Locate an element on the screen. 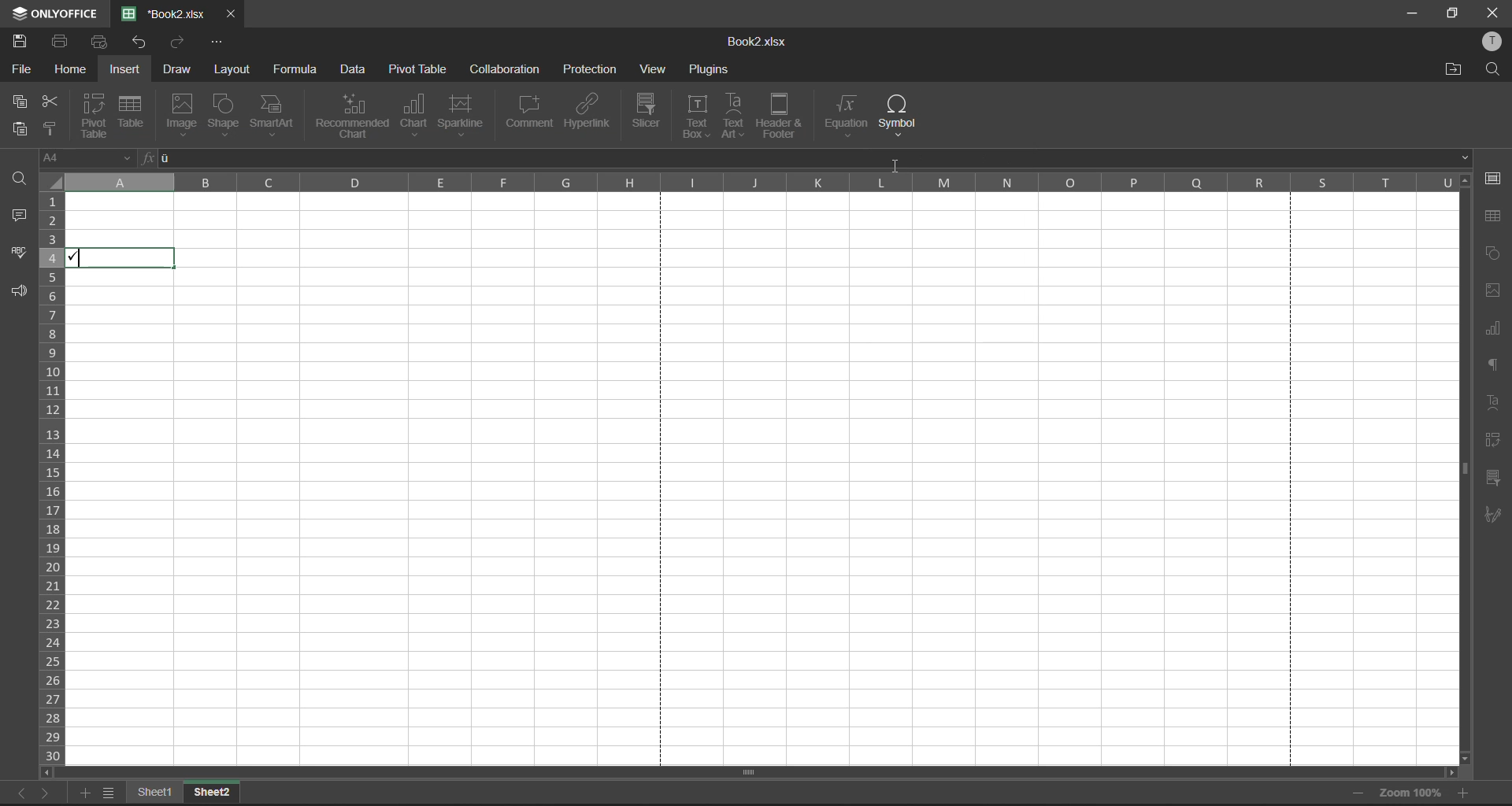 Image resolution: width=1512 pixels, height=806 pixels. cut is located at coordinates (51, 102).